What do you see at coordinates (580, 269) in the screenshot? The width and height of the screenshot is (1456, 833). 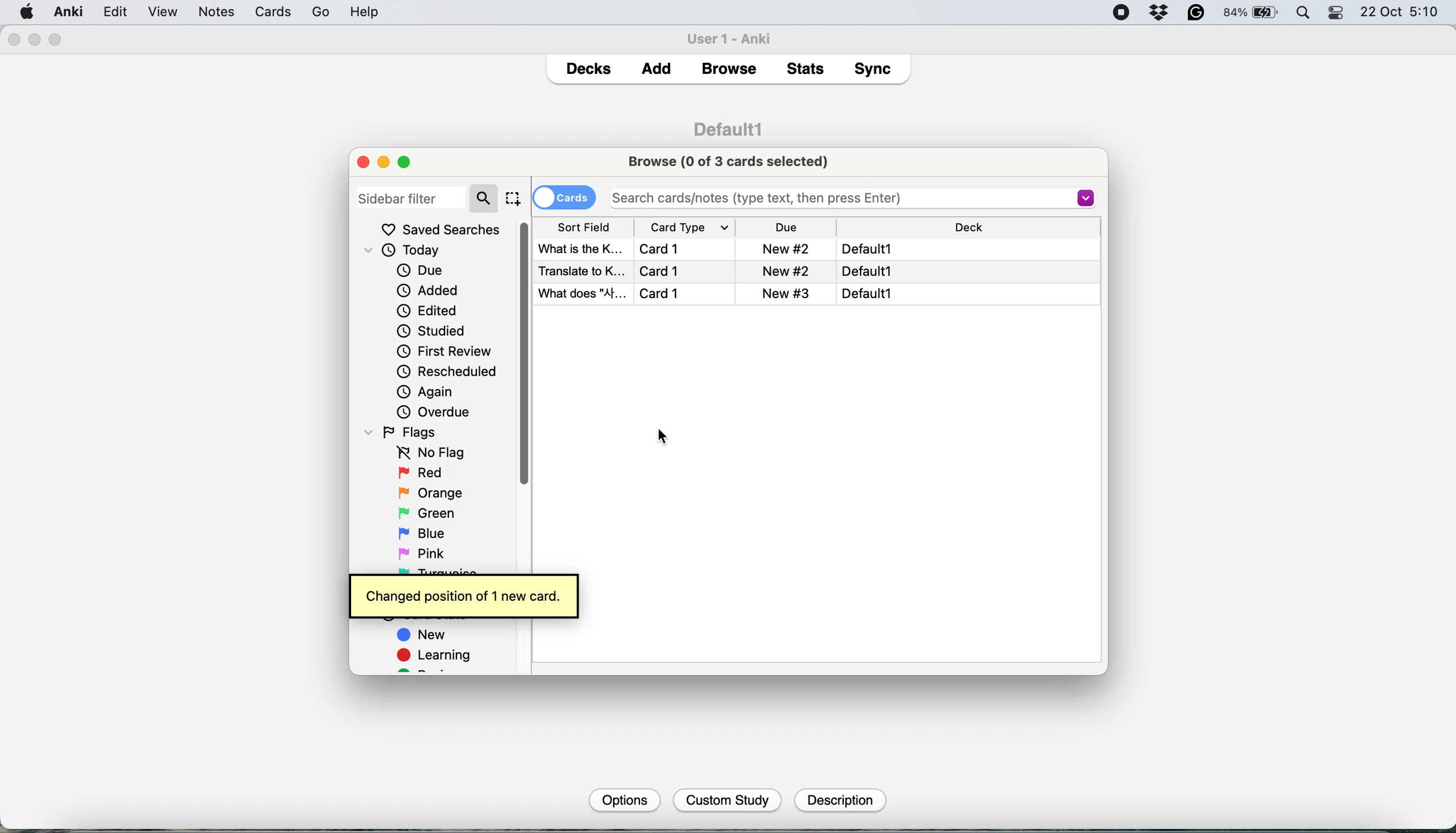 I see `Translate to K...` at bounding box center [580, 269].